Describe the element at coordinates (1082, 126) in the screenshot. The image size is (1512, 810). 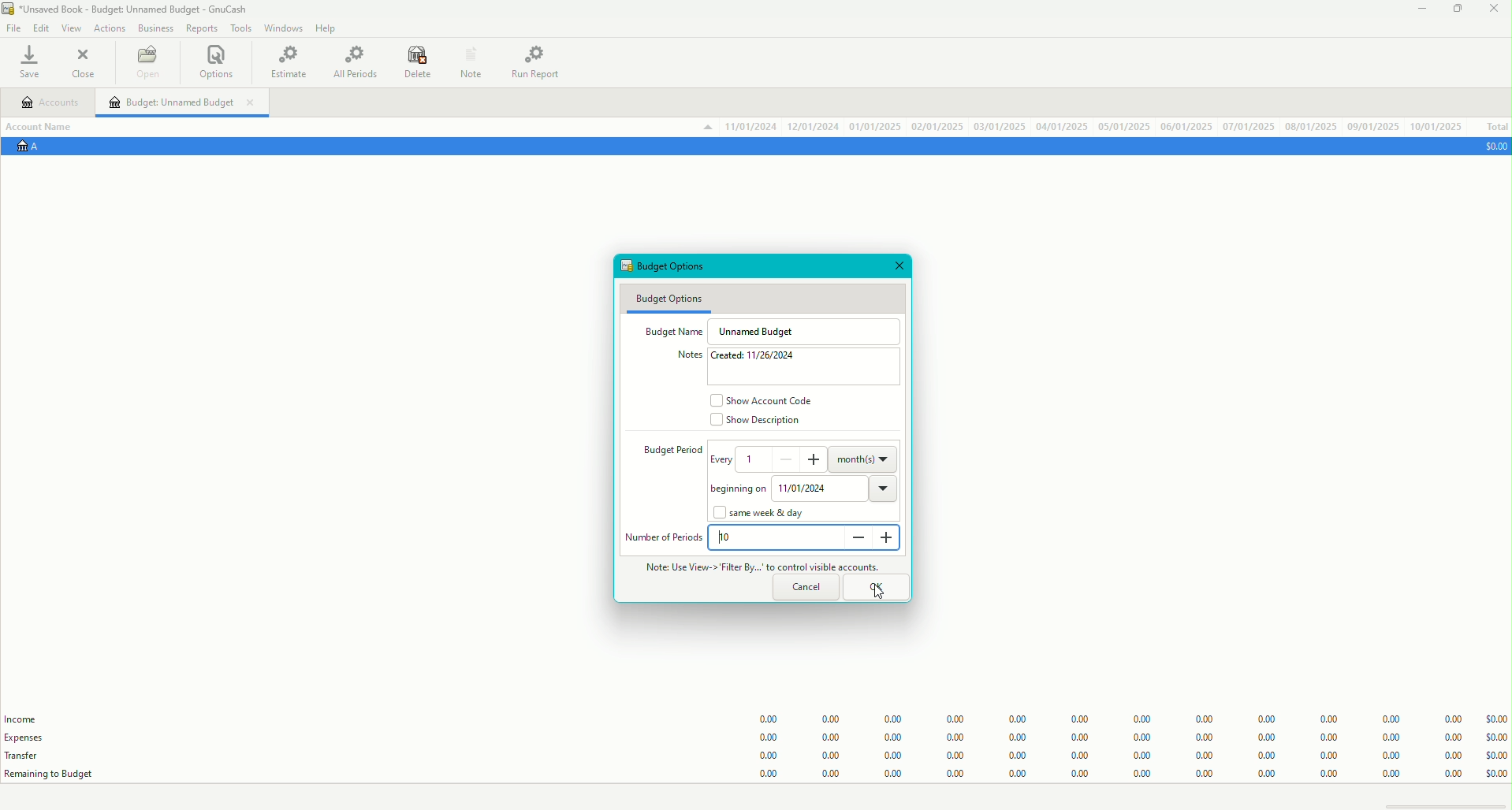
I see `Account Data` at that location.